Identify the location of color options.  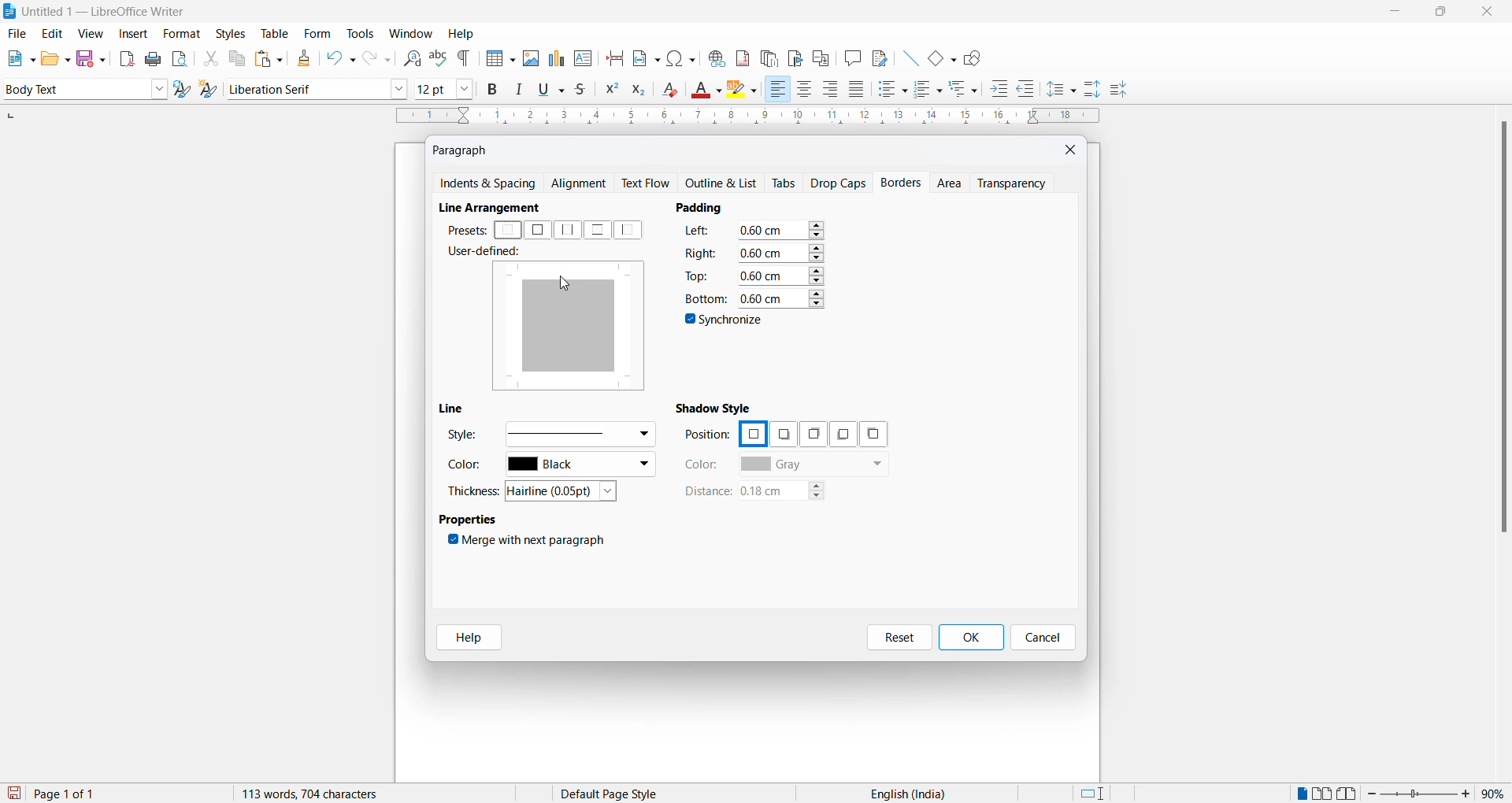
(580, 466).